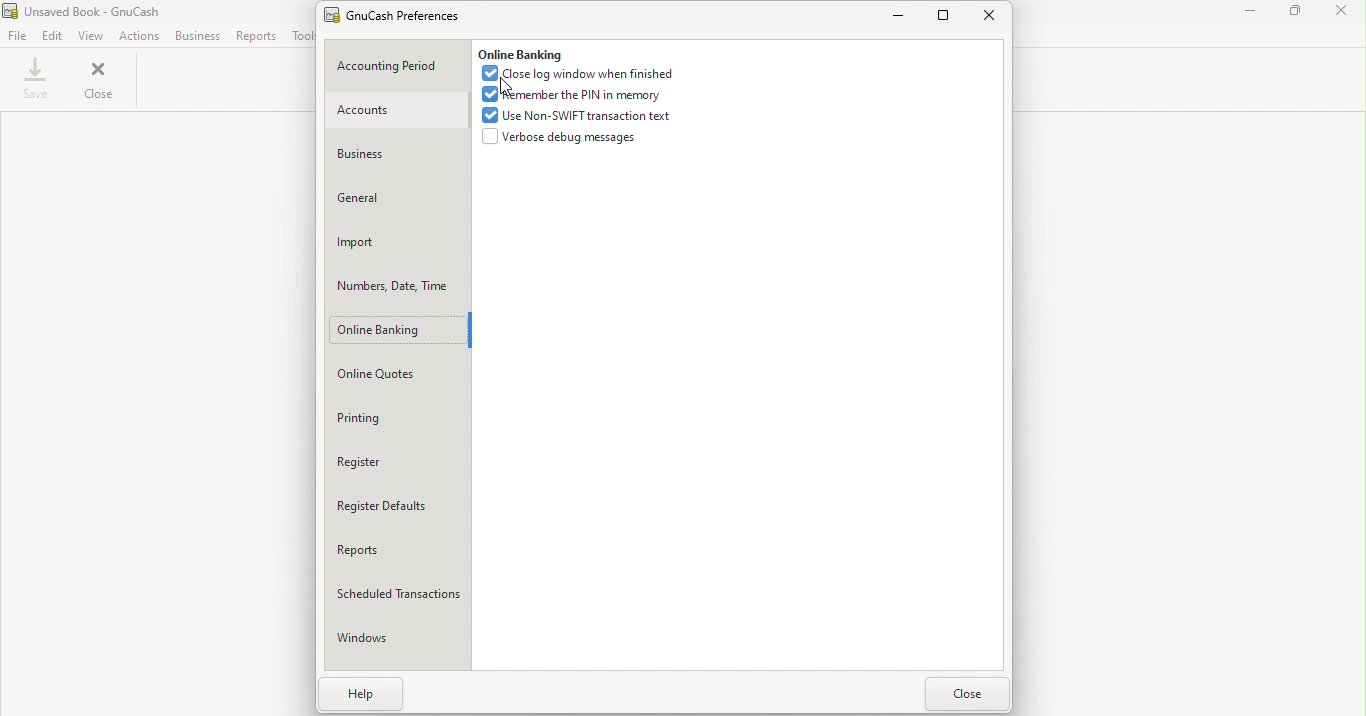 The image size is (1366, 716). Describe the element at coordinates (395, 112) in the screenshot. I see `Account` at that location.